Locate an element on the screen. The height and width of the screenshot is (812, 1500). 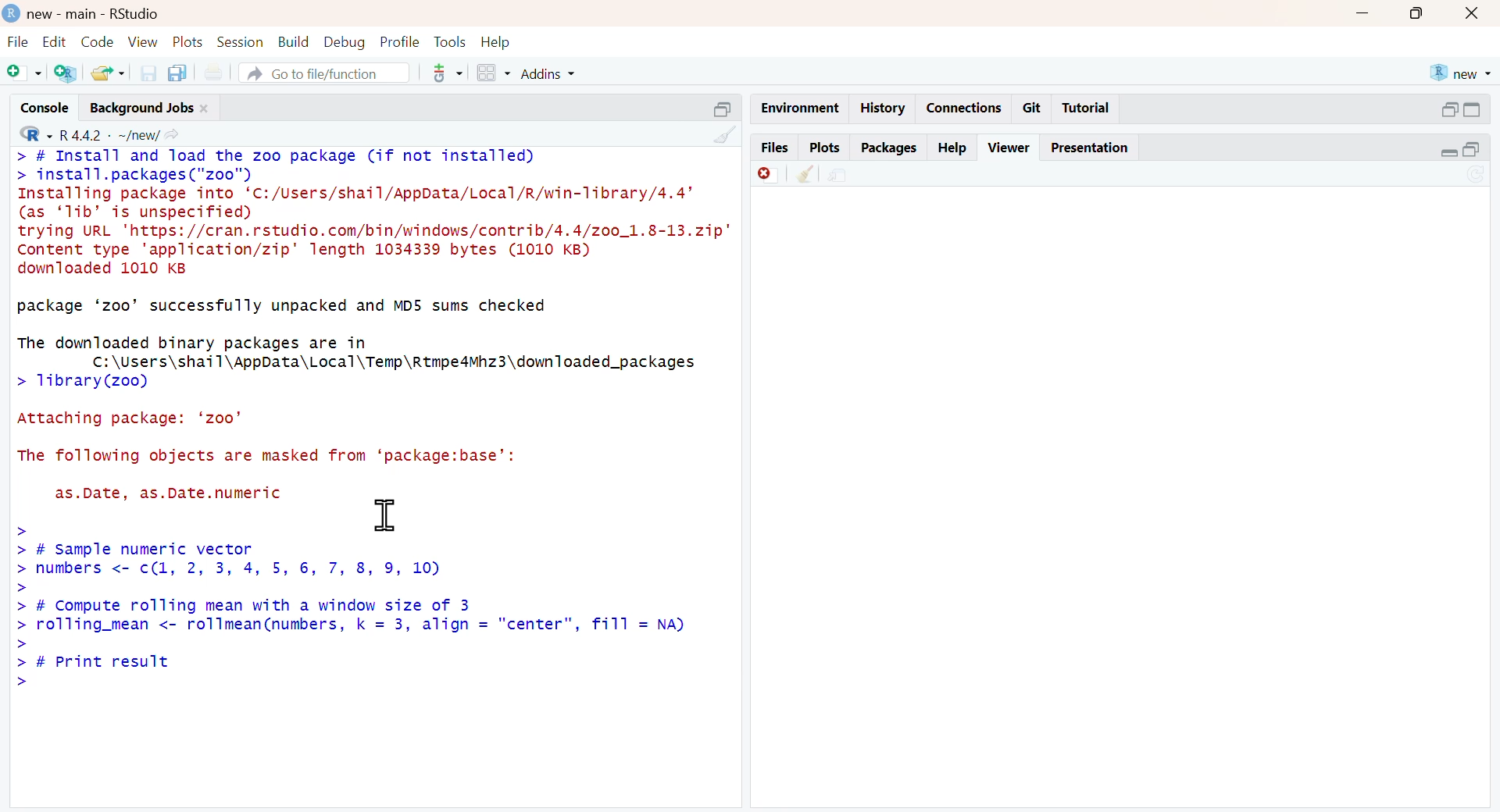
console is located at coordinates (46, 109).